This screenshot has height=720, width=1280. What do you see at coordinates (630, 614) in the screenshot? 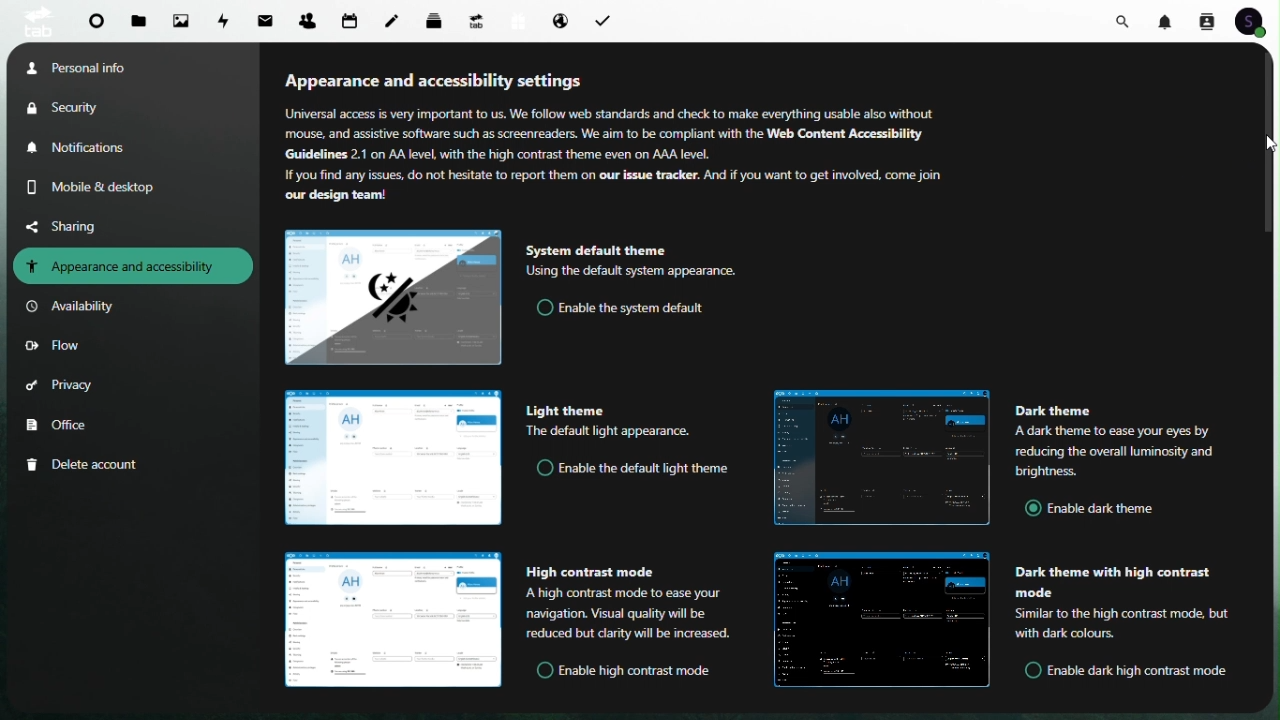
I see `A high contrast mode to ease your navigation. Visual quality will be reduced but clarity will be increased.` at bounding box center [630, 614].